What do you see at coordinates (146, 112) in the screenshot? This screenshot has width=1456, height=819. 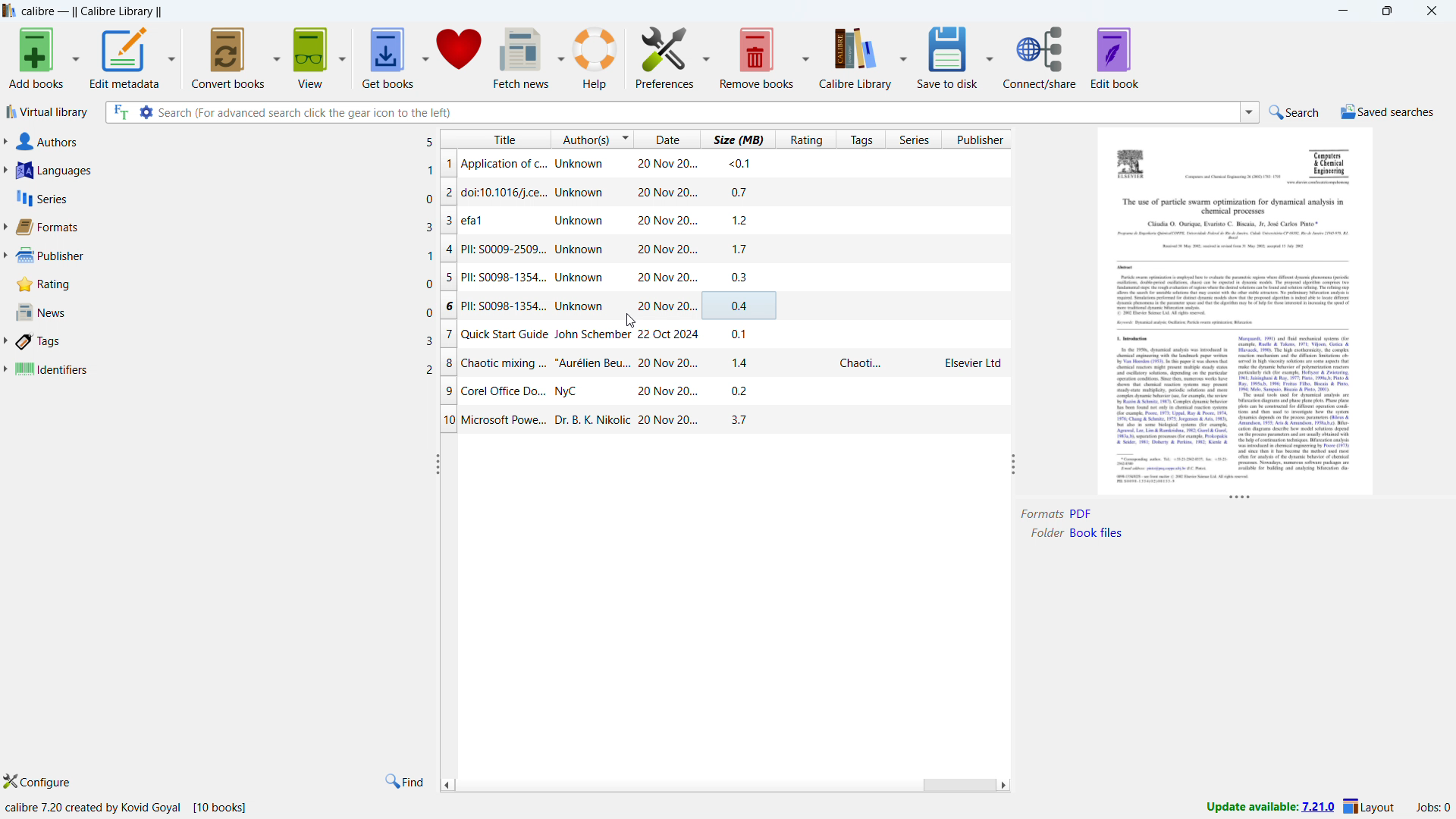 I see `advanced search` at bounding box center [146, 112].